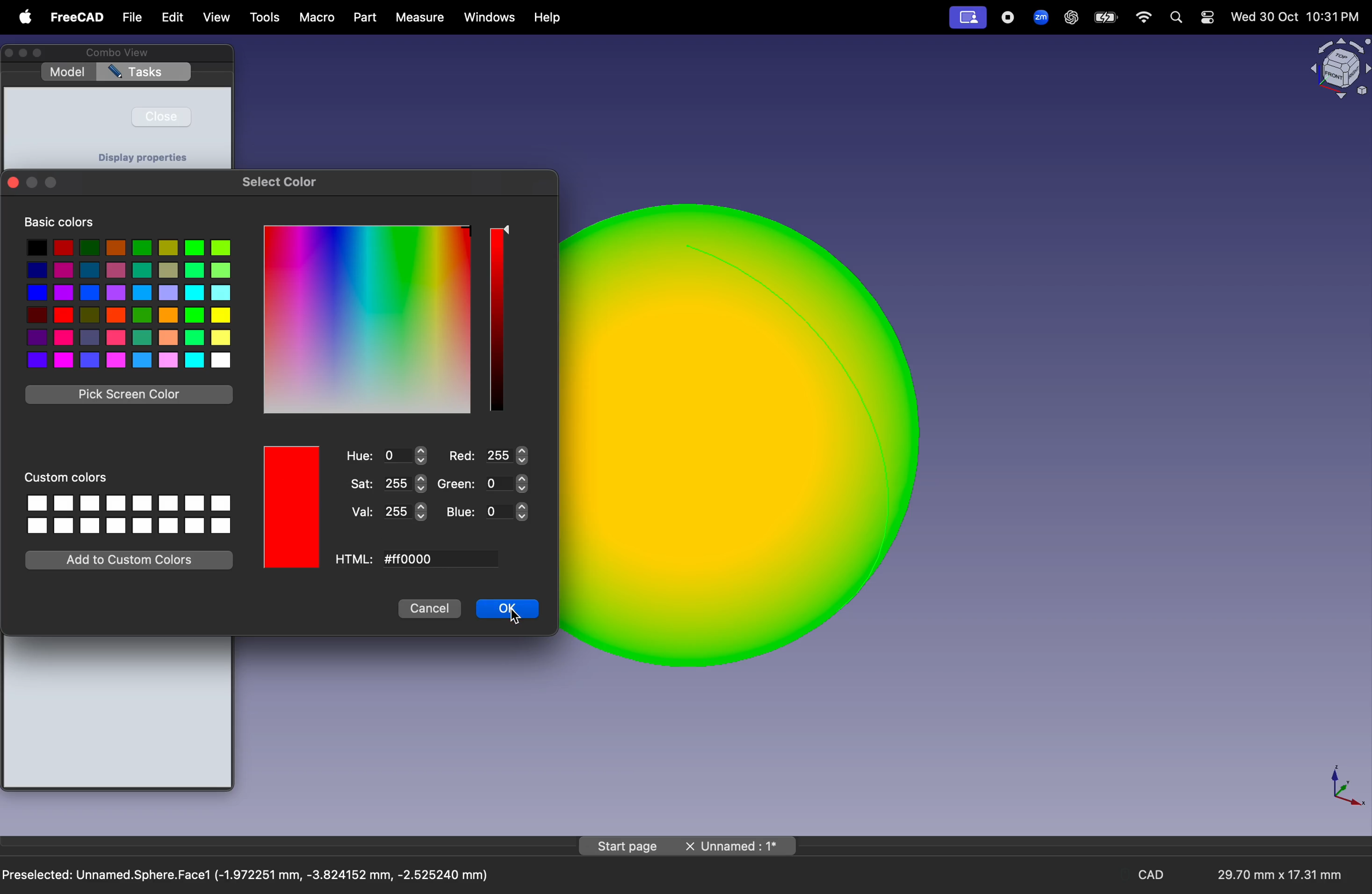 The width and height of the screenshot is (1372, 894). Describe the element at coordinates (1144, 17) in the screenshot. I see `wifi` at that location.